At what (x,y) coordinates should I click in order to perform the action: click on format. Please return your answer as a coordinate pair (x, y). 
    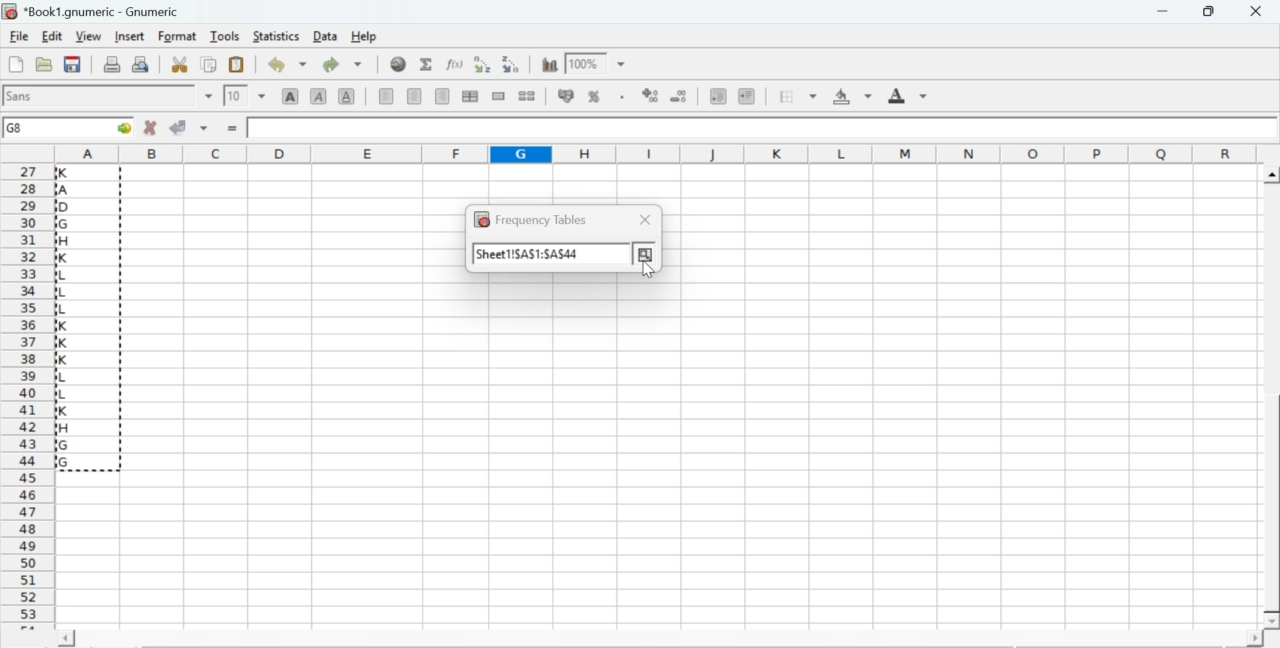
    Looking at the image, I should click on (178, 36).